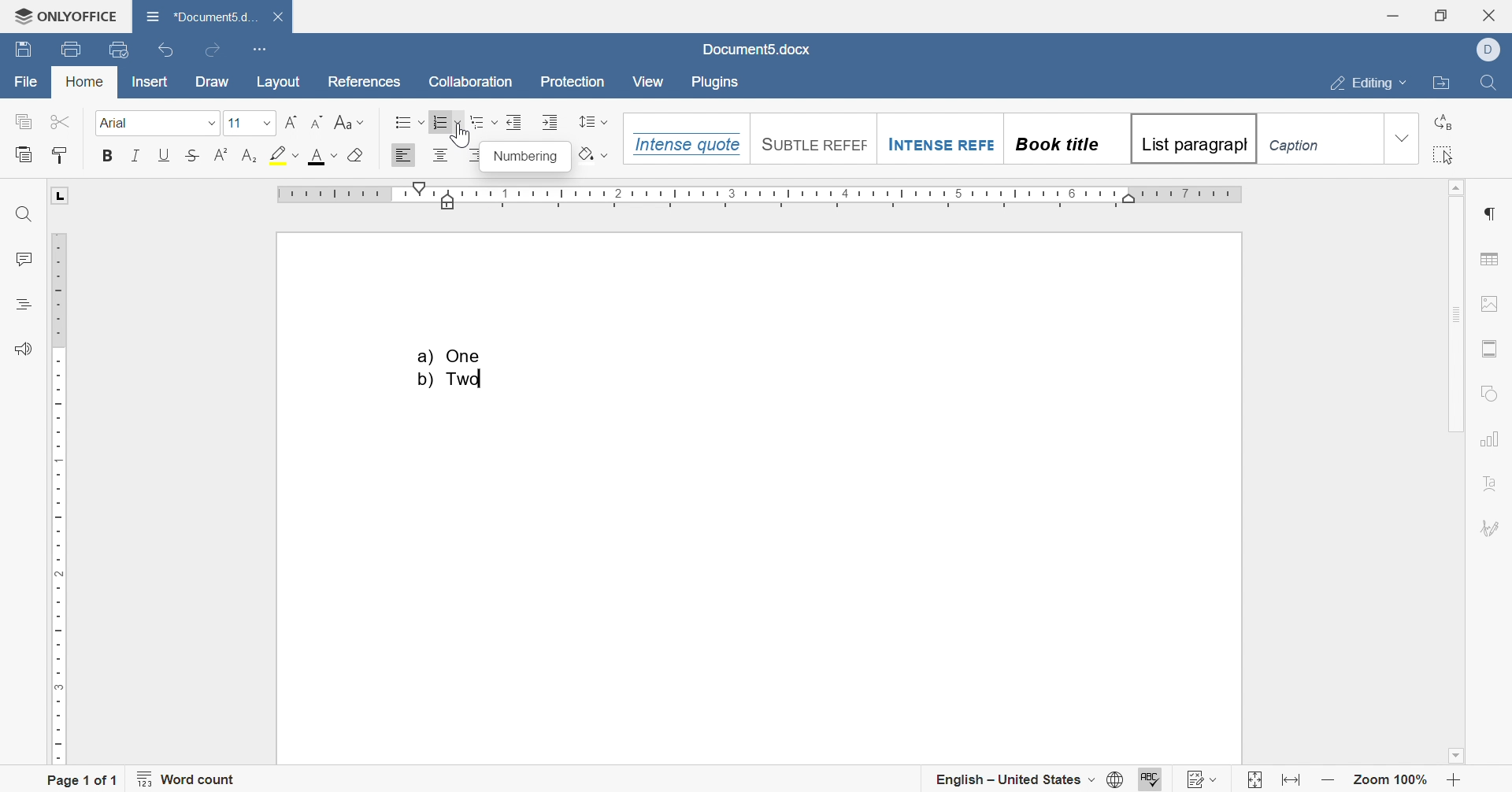  I want to click on shape settings, so click(1488, 394).